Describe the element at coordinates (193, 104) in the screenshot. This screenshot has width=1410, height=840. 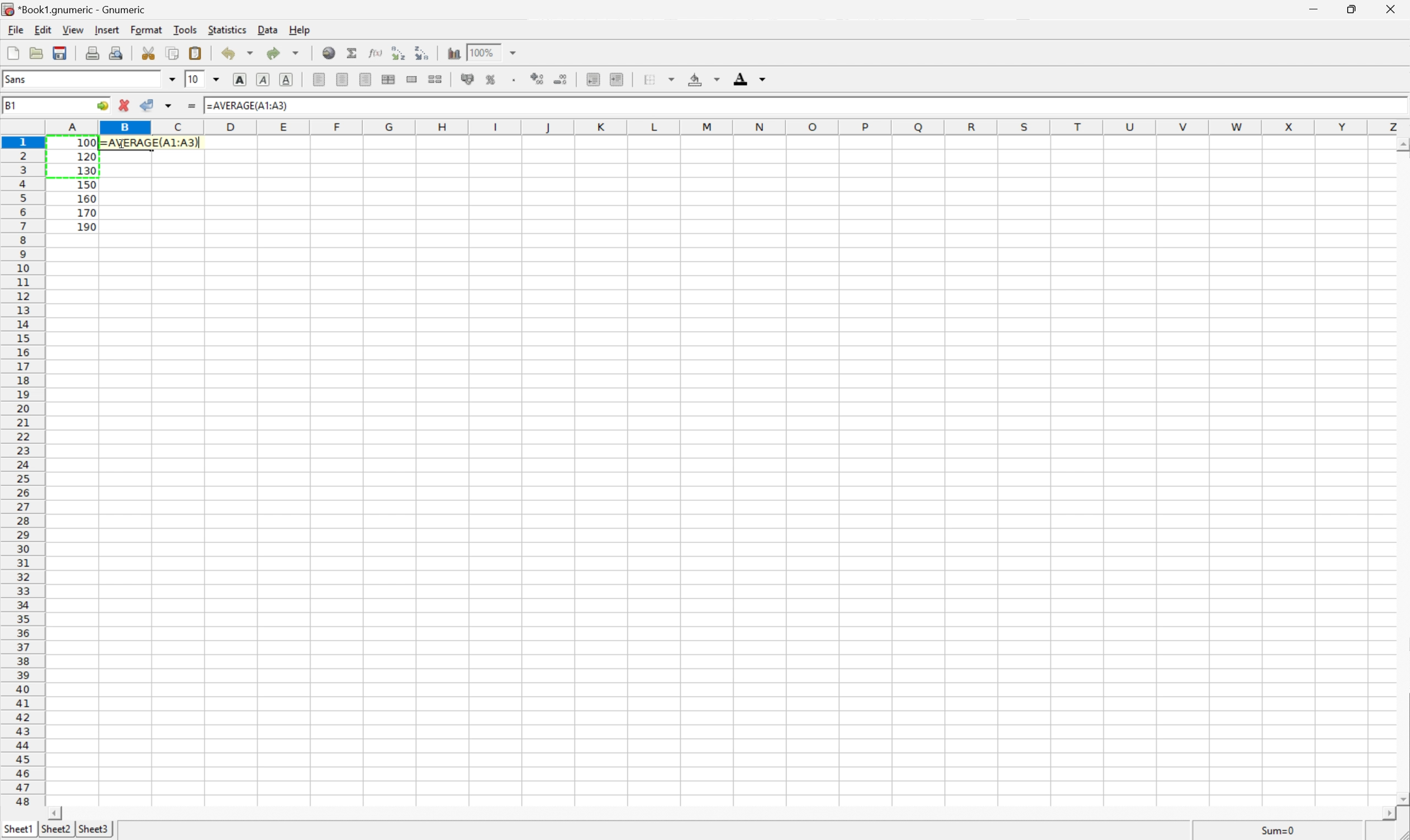
I see `Enter formula` at that location.